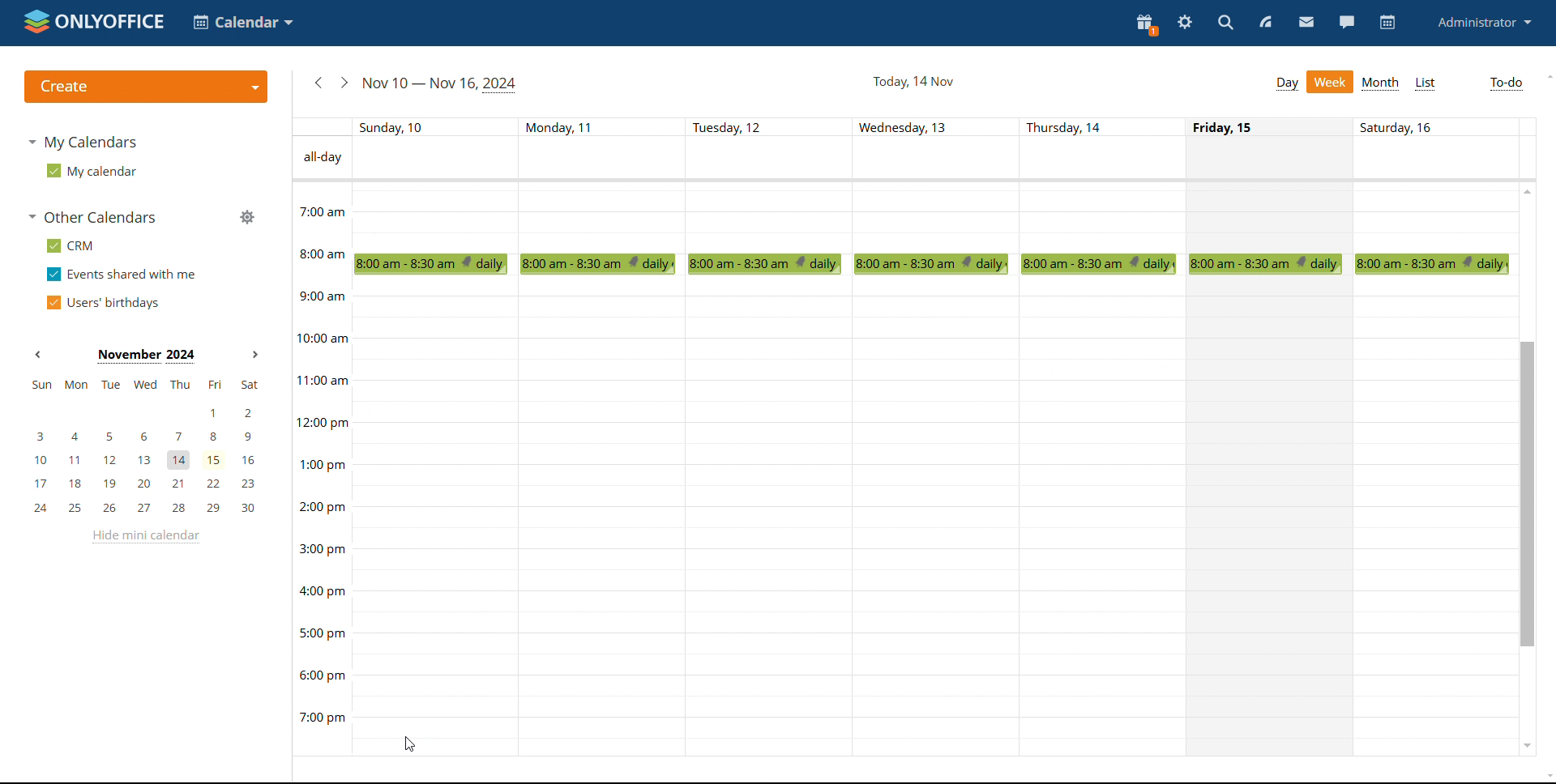 This screenshot has height=784, width=1556. Describe the element at coordinates (1225, 23) in the screenshot. I see `search` at that location.